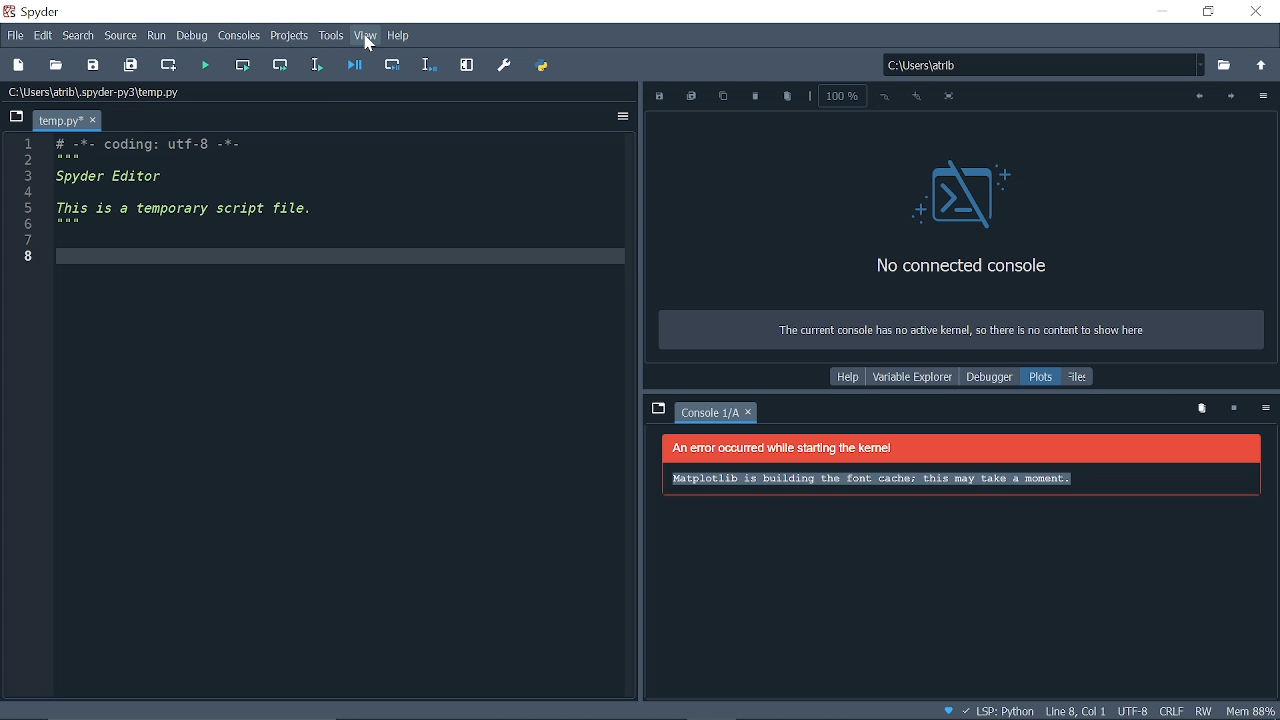 The image size is (1280, 720). I want to click on Completions, linting and code folding status, so click(989, 712).